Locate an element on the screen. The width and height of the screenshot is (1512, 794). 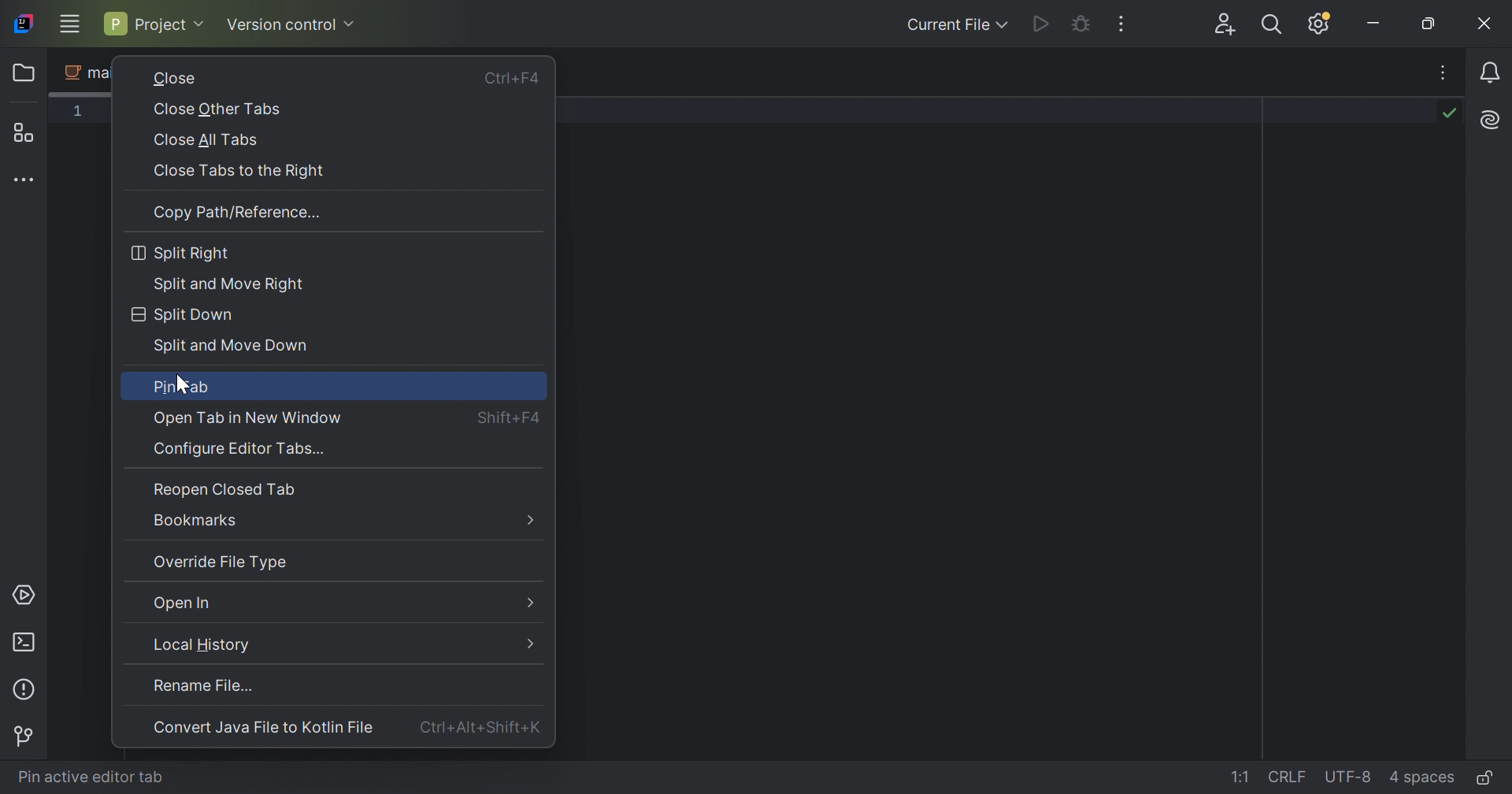
indent: 4 spaces is located at coordinates (1425, 777).